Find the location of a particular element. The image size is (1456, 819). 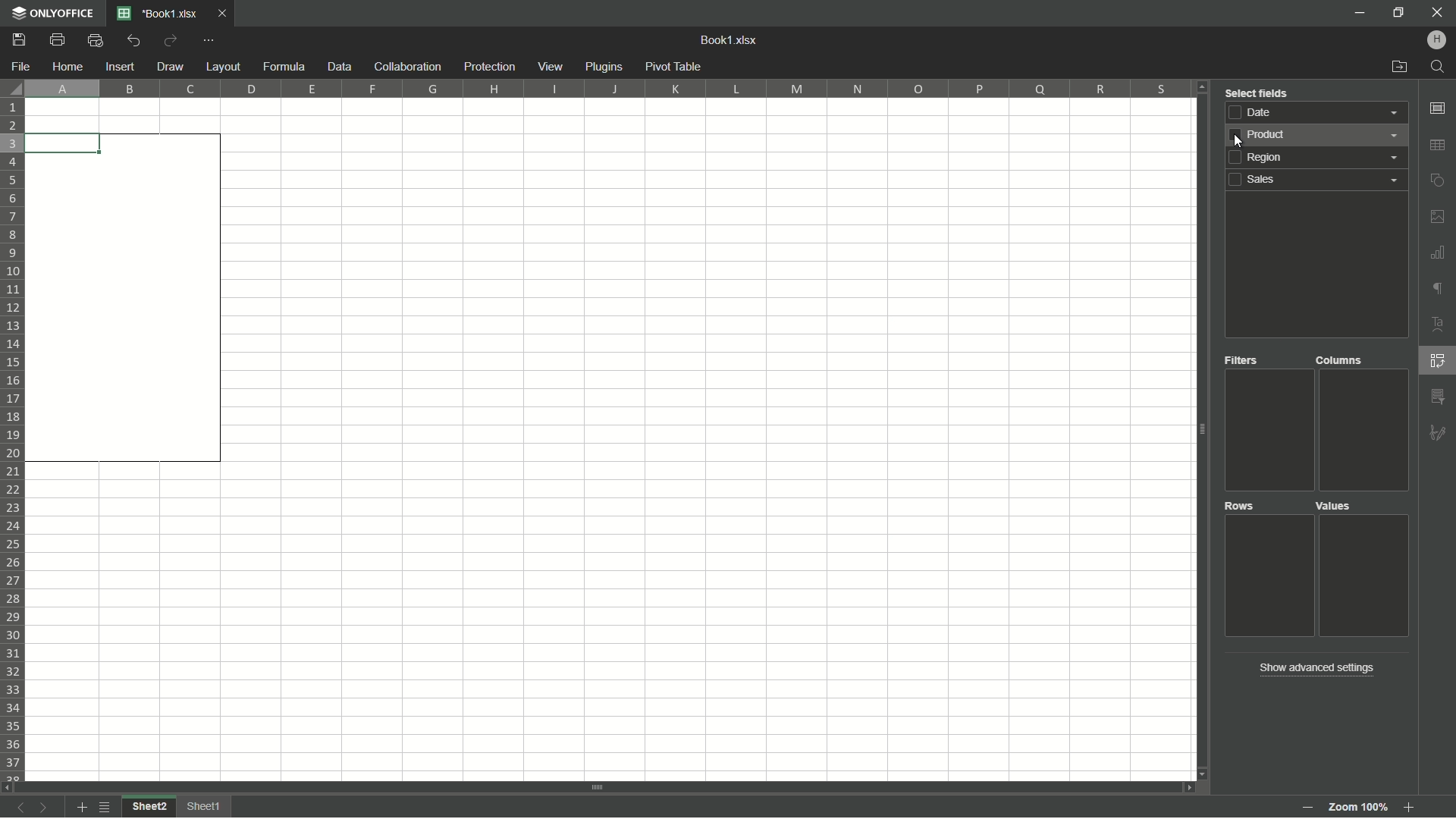

scroll bar is located at coordinates (1200, 431).